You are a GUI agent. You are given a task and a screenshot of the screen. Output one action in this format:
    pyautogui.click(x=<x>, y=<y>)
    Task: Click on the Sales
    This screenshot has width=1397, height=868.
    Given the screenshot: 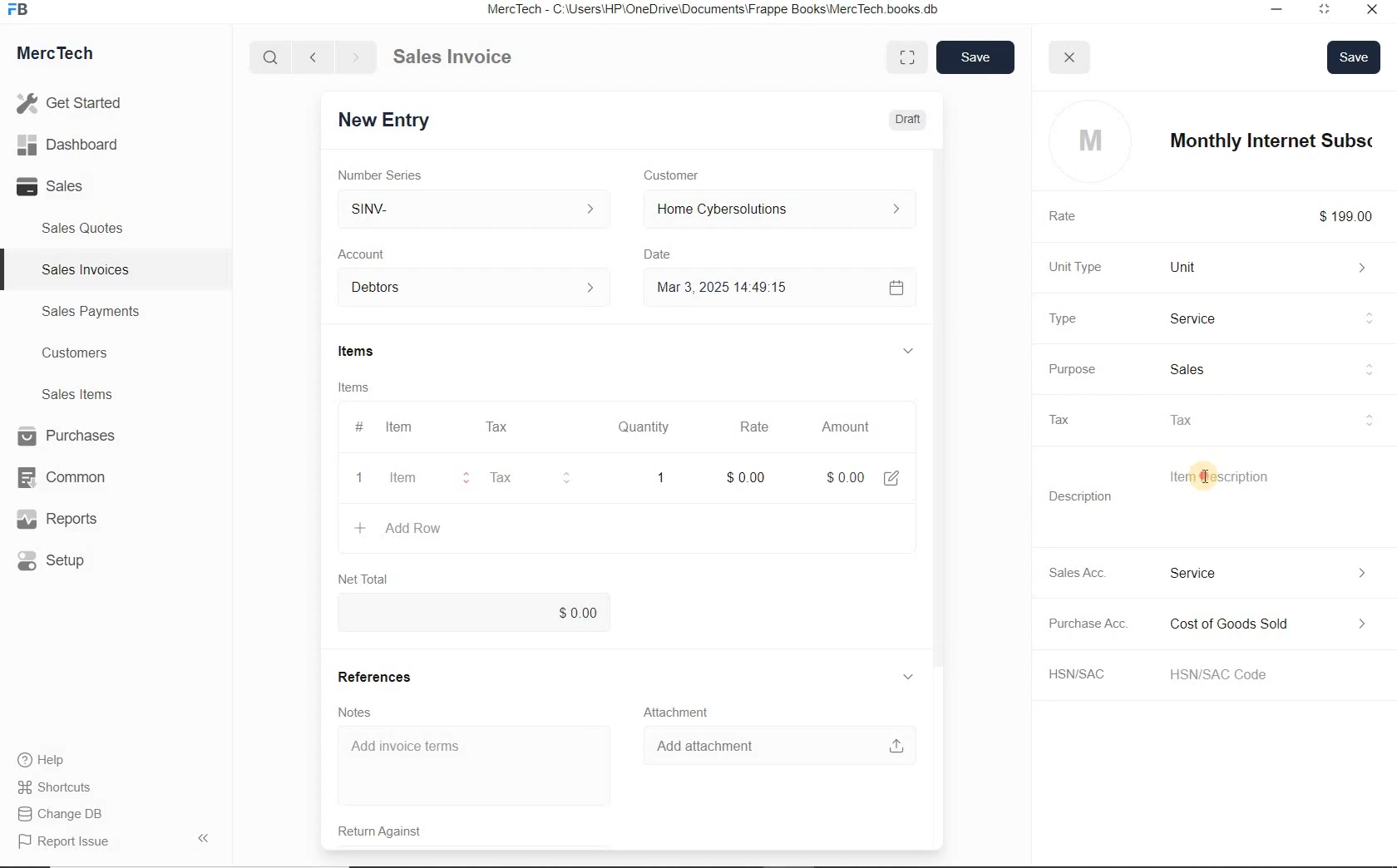 What is the action you would take?
    pyautogui.click(x=75, y=186)
    